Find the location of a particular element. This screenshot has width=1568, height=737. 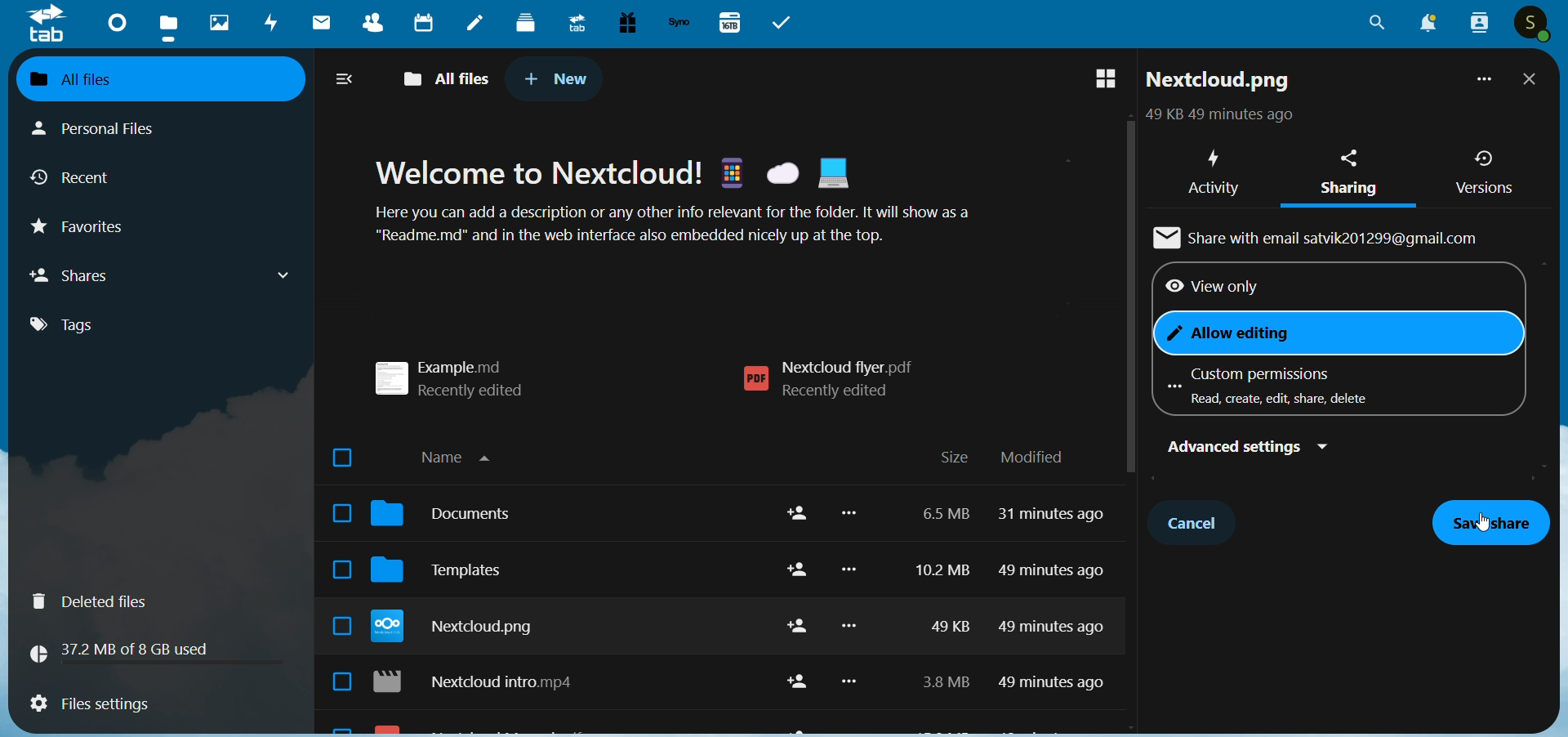

example is located at coordinates (461, 373).